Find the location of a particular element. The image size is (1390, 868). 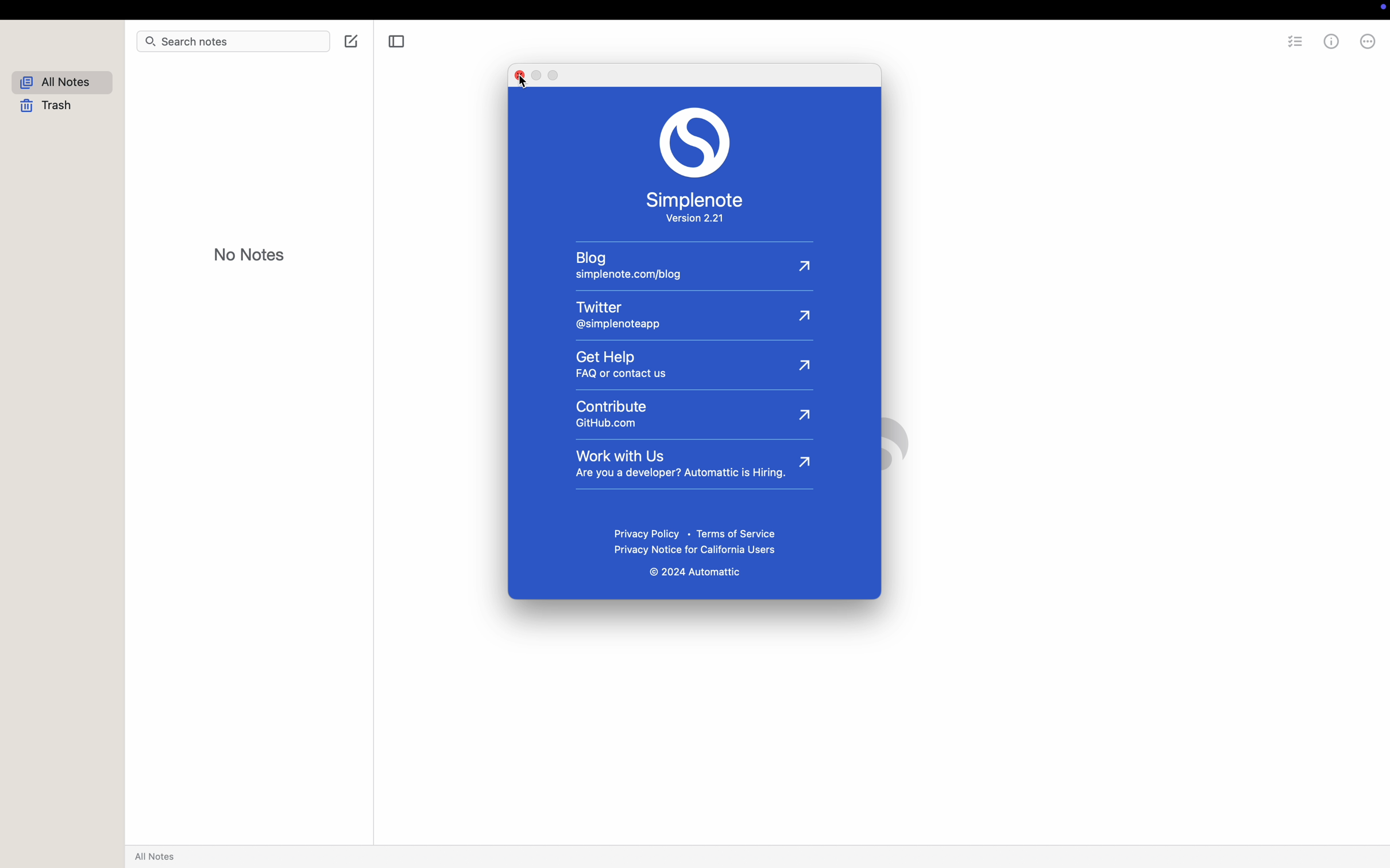

close bar is located at coordinates (397, 41).